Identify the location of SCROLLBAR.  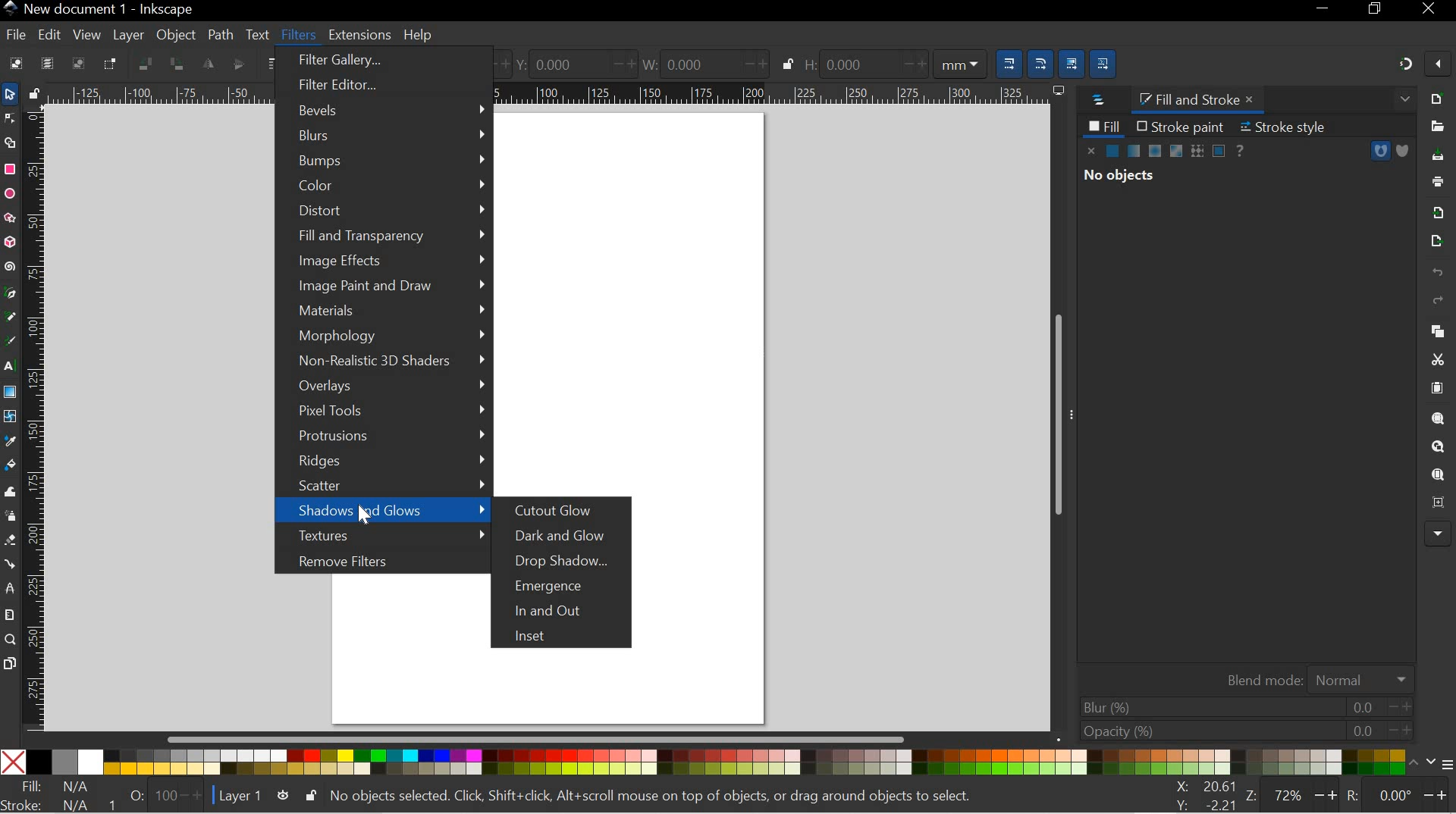
(543, 740).